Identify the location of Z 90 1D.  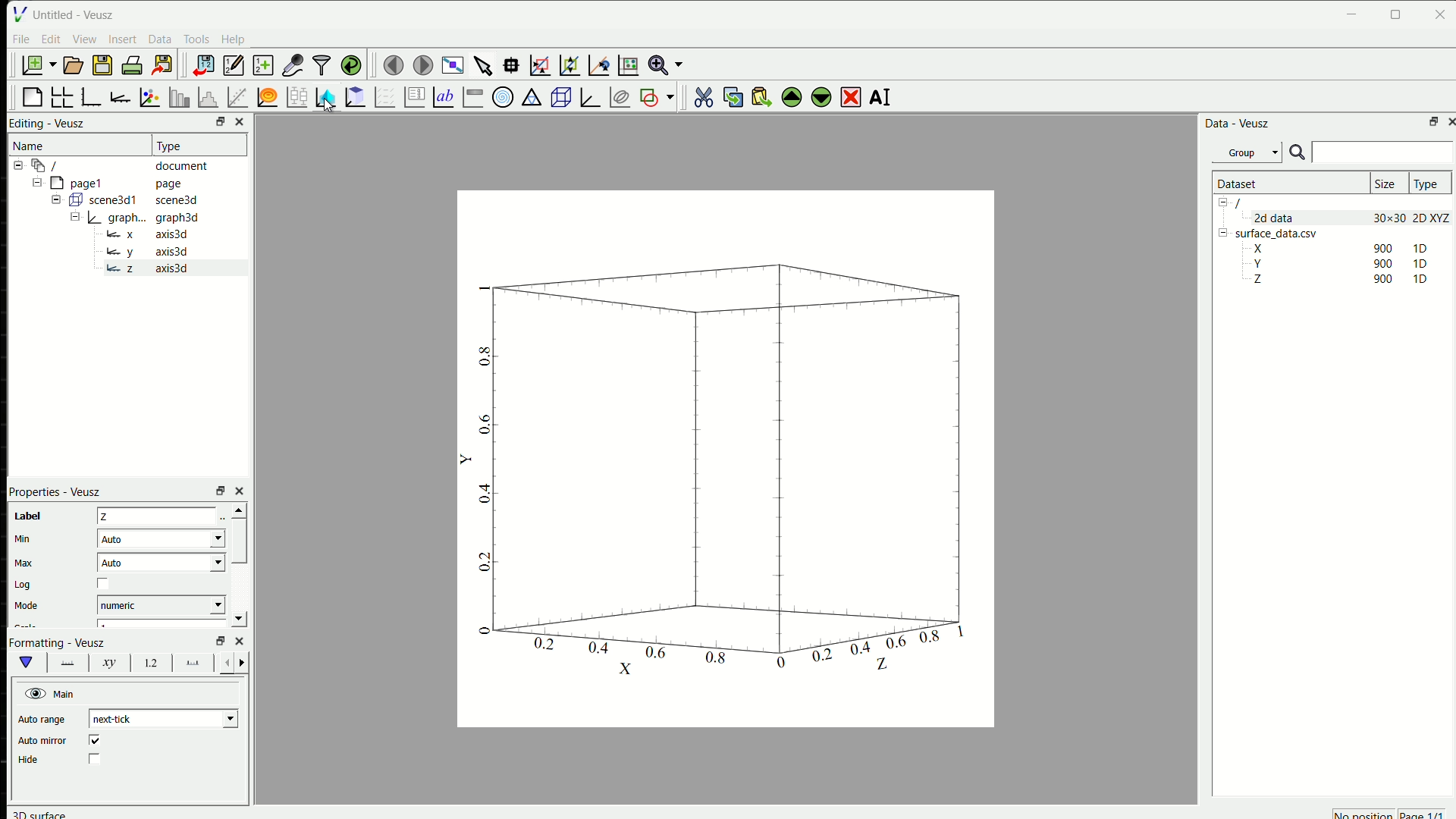
(1335, 279).